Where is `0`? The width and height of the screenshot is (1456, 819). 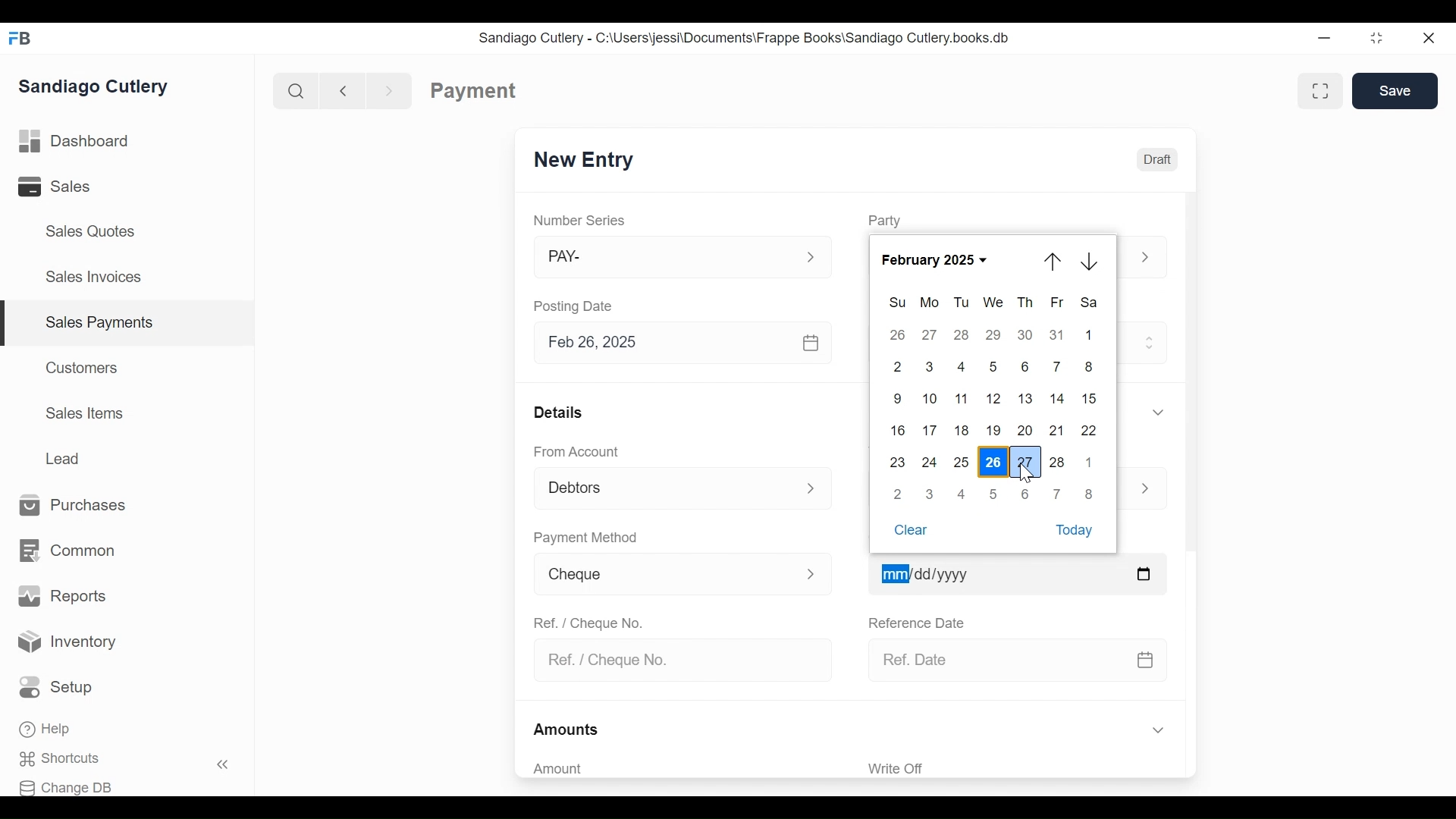 0 is located at coordinates (929, 493).